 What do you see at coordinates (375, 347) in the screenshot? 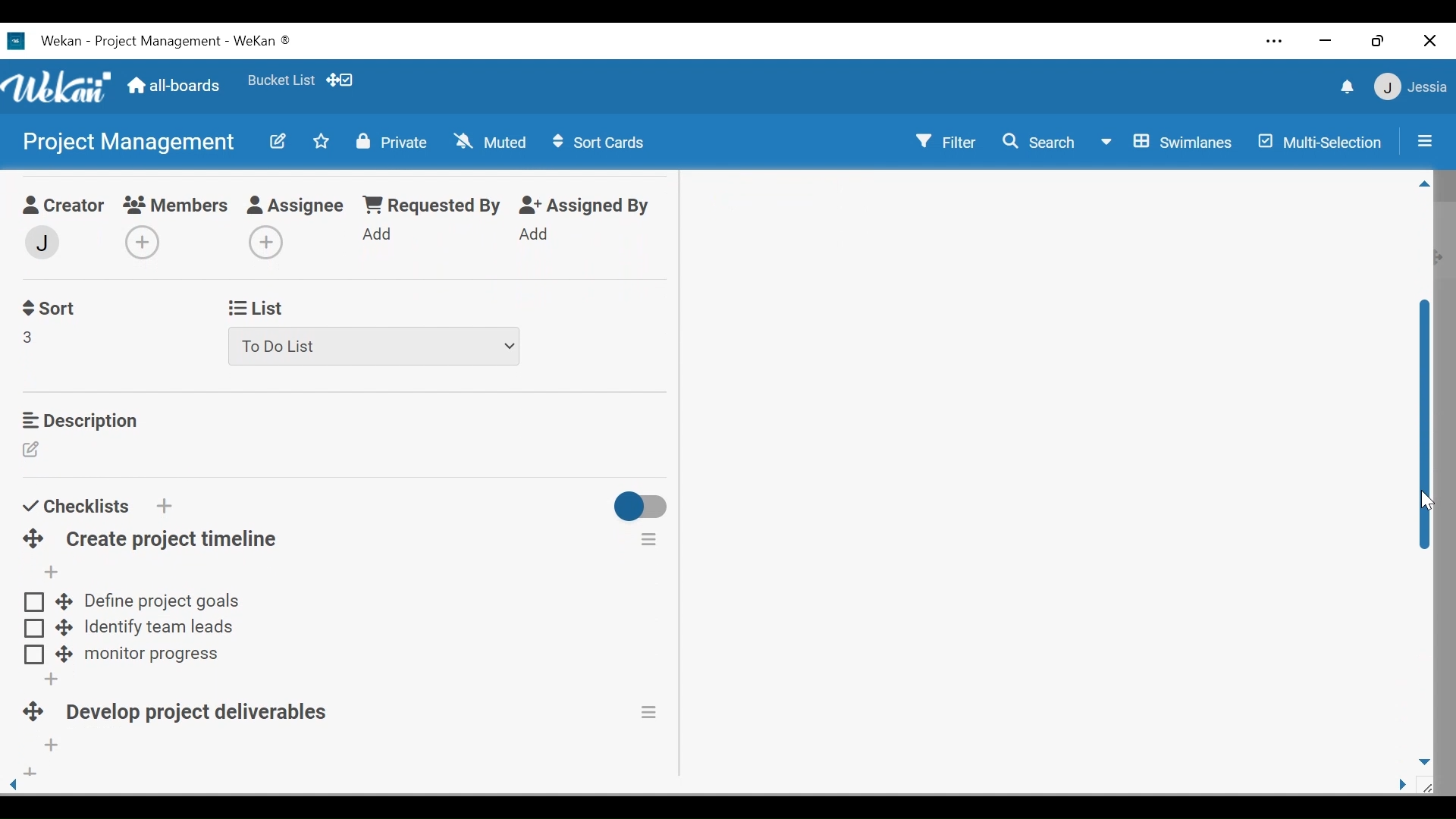
I see `List dropdown menu` at bounding box center [375, 347].